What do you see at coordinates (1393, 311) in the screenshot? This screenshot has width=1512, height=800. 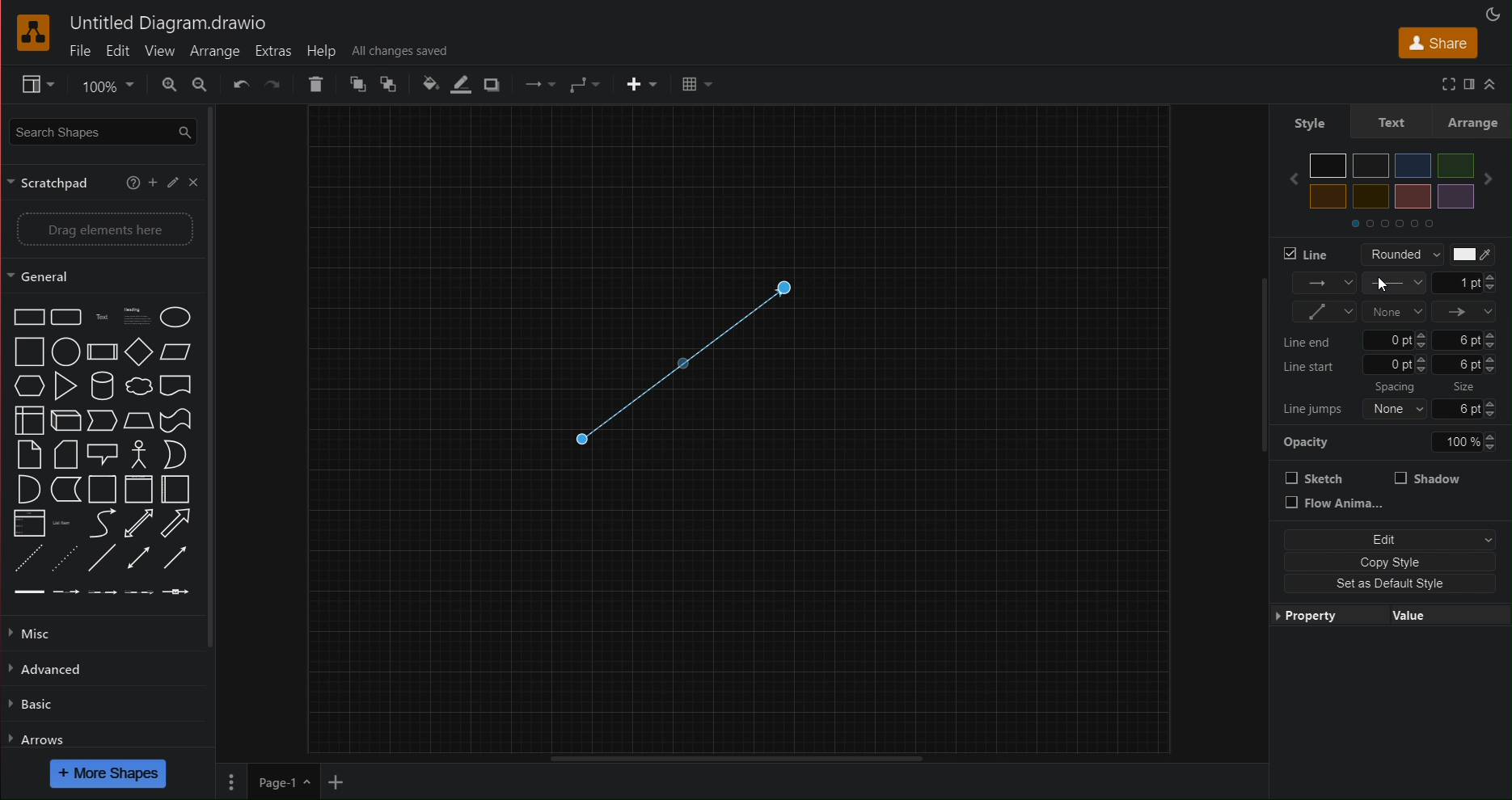 I see `None` at bounding box center [1393, 311].